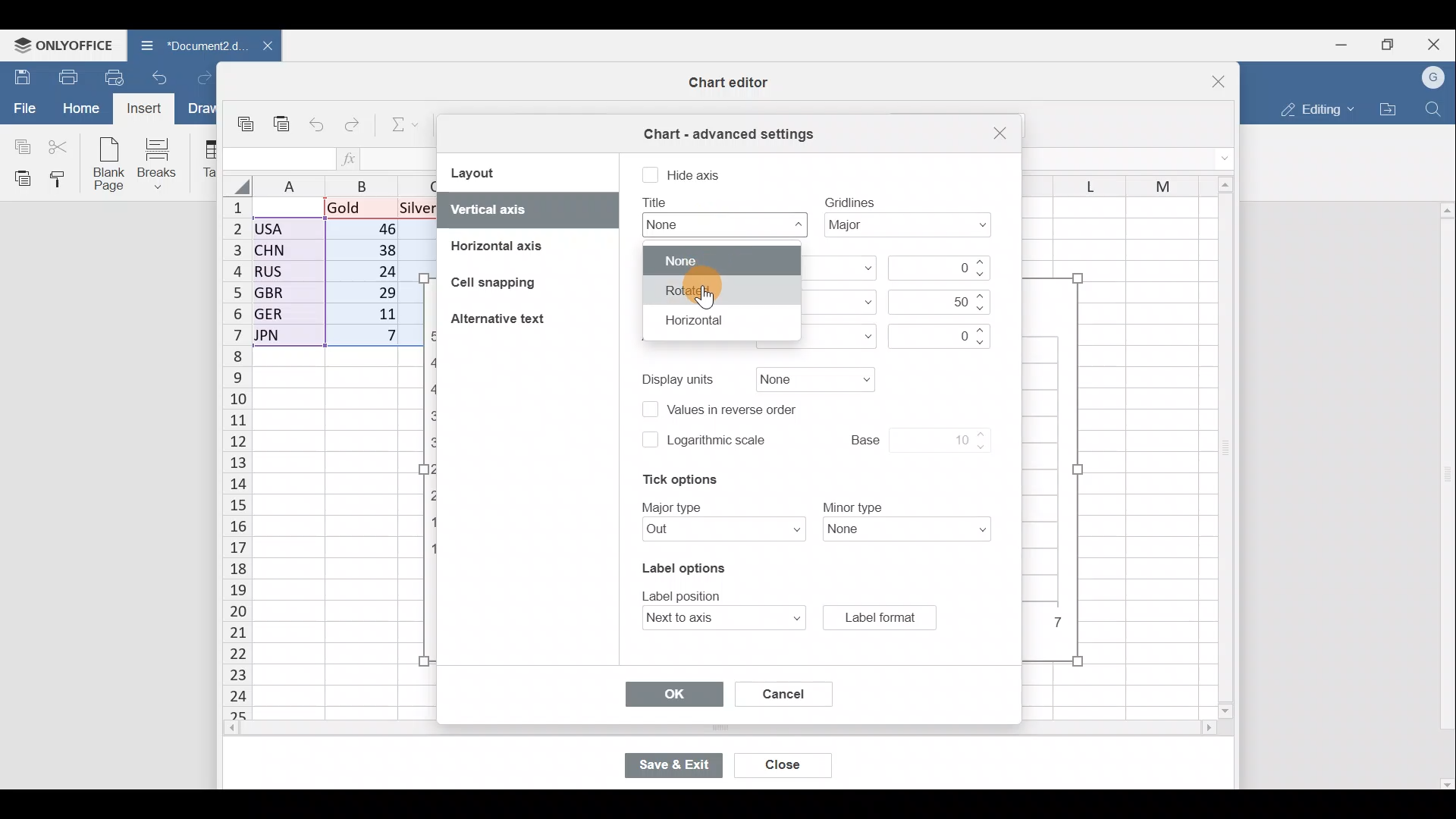  Describe the element at coordinates (720, 618) in the screenshot. I see `Label position` at that location.